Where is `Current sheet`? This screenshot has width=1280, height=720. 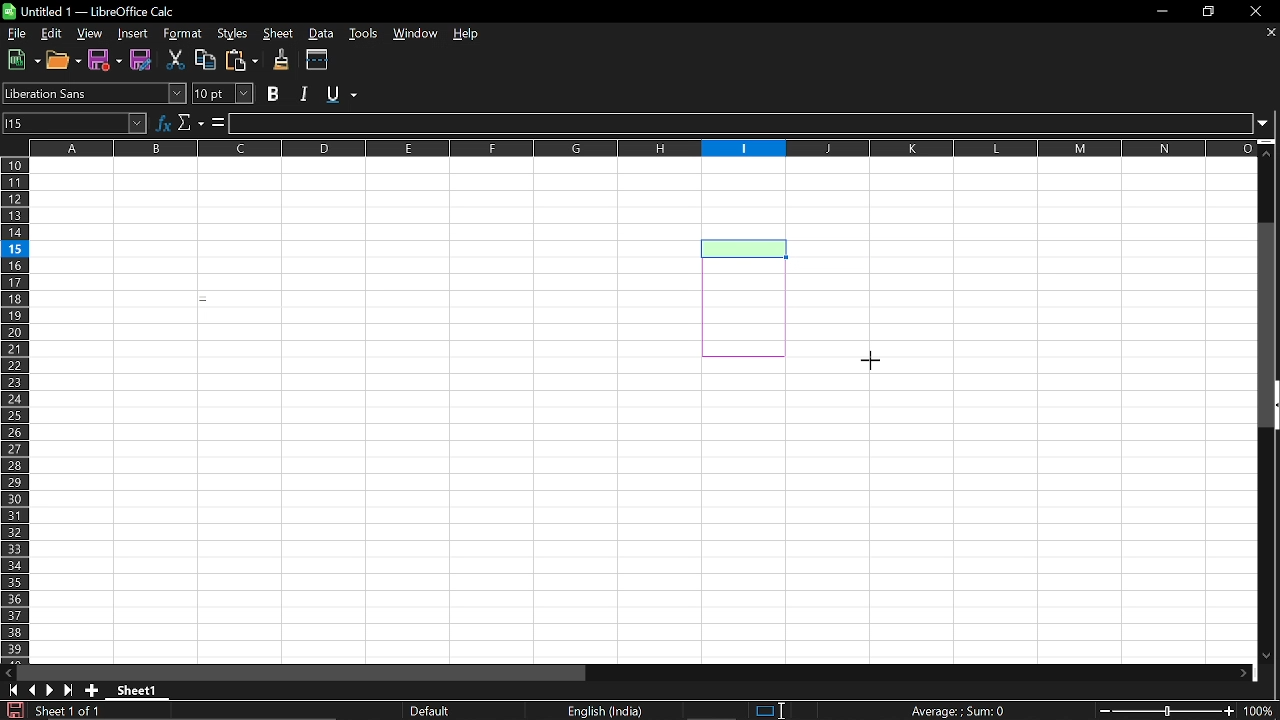
Current sheet is located at coordinates (67, 712).